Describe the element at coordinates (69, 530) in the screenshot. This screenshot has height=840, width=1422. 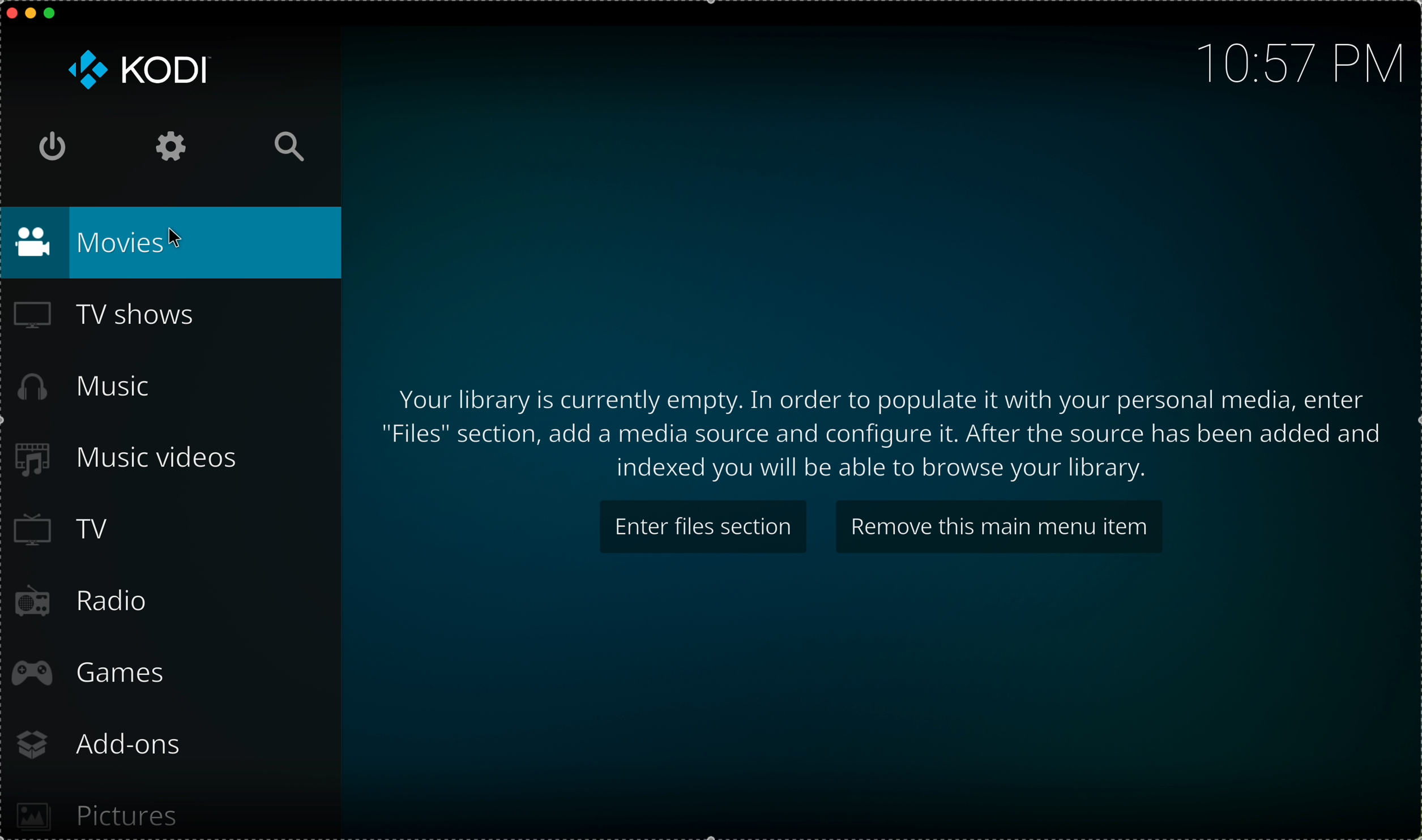
I see `TV` at that location.